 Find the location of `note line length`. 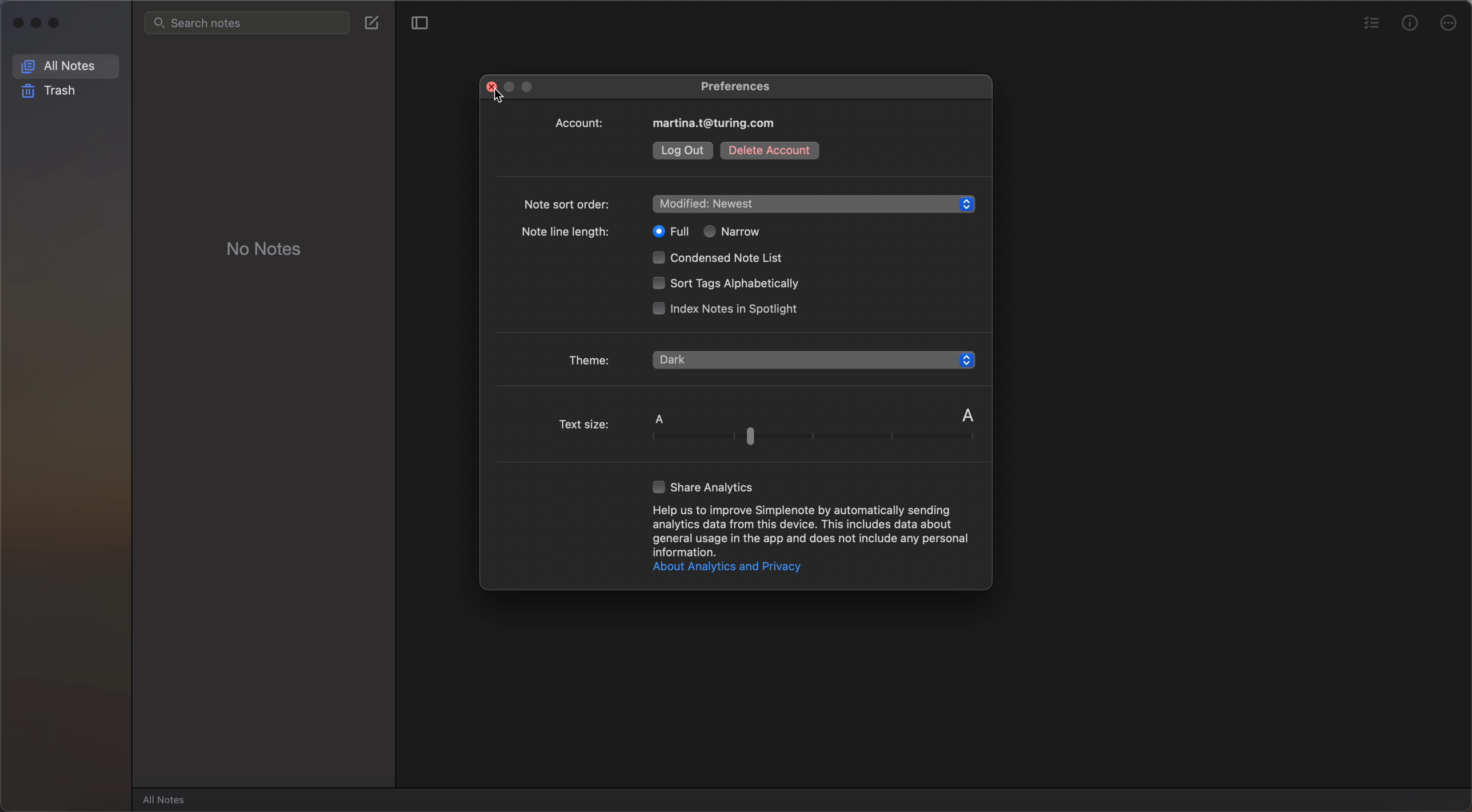

note line length is located at coordinates (569, 234).